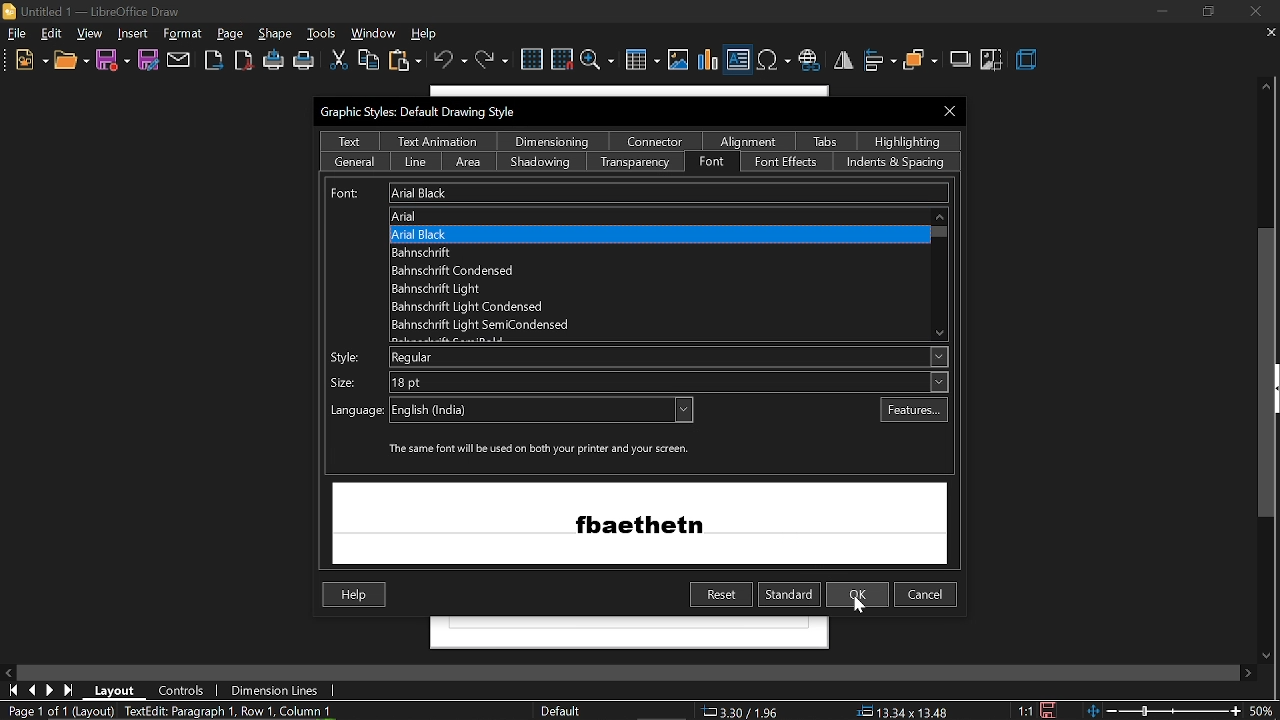  What do you see at coordinates (749, 141) in the screenshot?
I see `alignment` at bounding box center [749, 141].